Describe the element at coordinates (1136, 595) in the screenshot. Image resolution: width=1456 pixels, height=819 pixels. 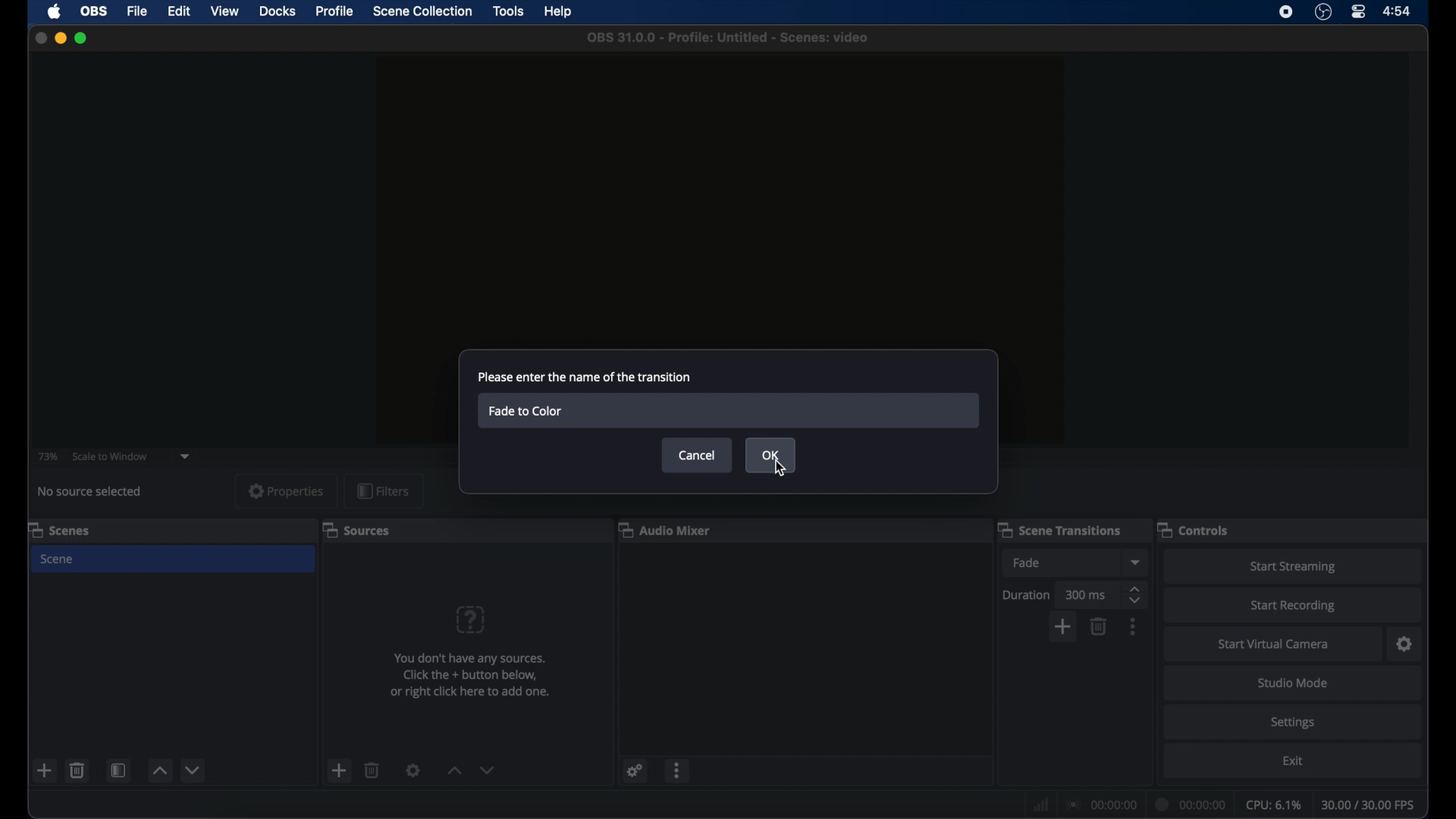
I see `stepper buttons` at that location.